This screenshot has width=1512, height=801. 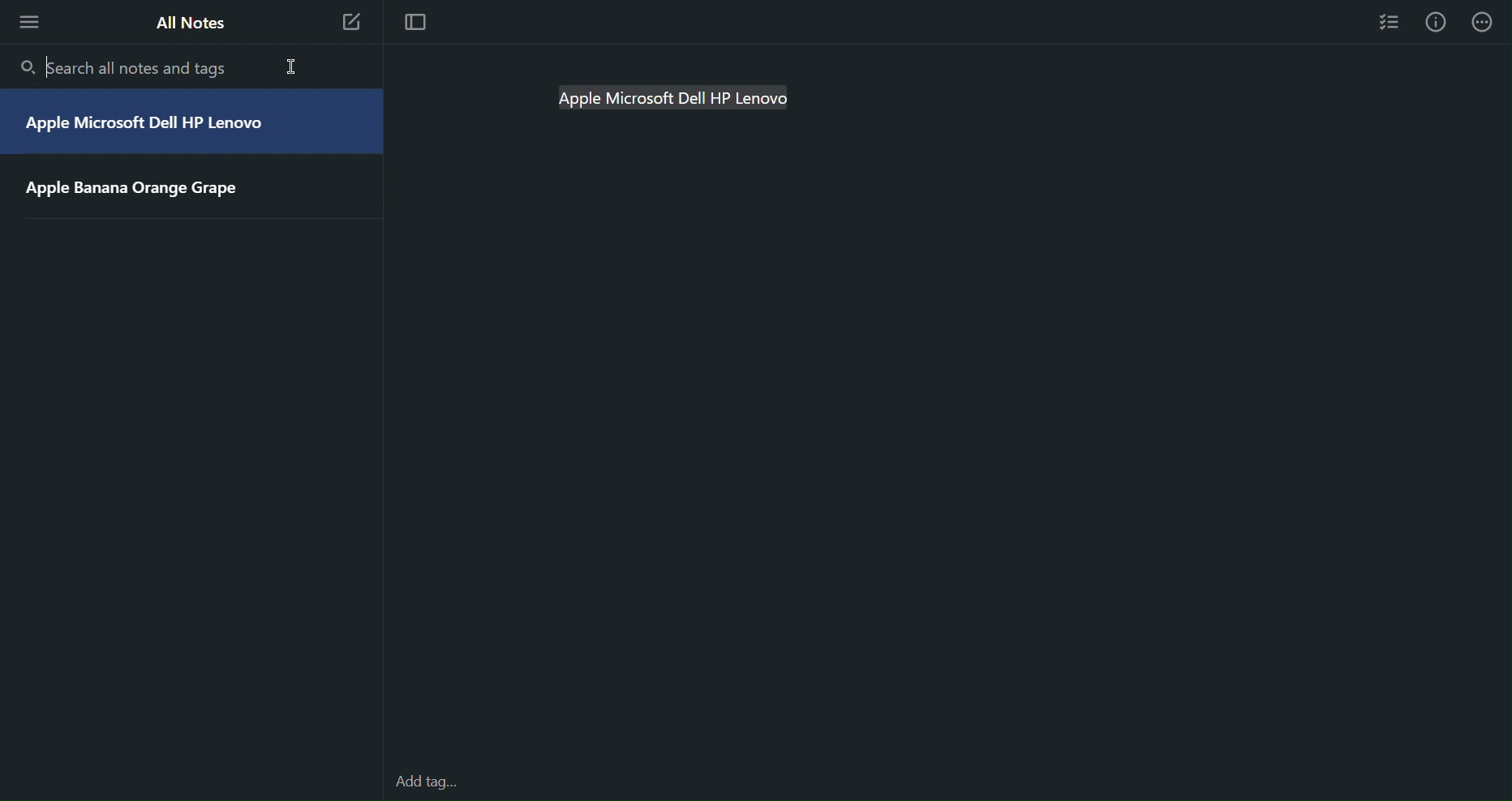 I want to click on Checklist, so click(x=1389, y=22).